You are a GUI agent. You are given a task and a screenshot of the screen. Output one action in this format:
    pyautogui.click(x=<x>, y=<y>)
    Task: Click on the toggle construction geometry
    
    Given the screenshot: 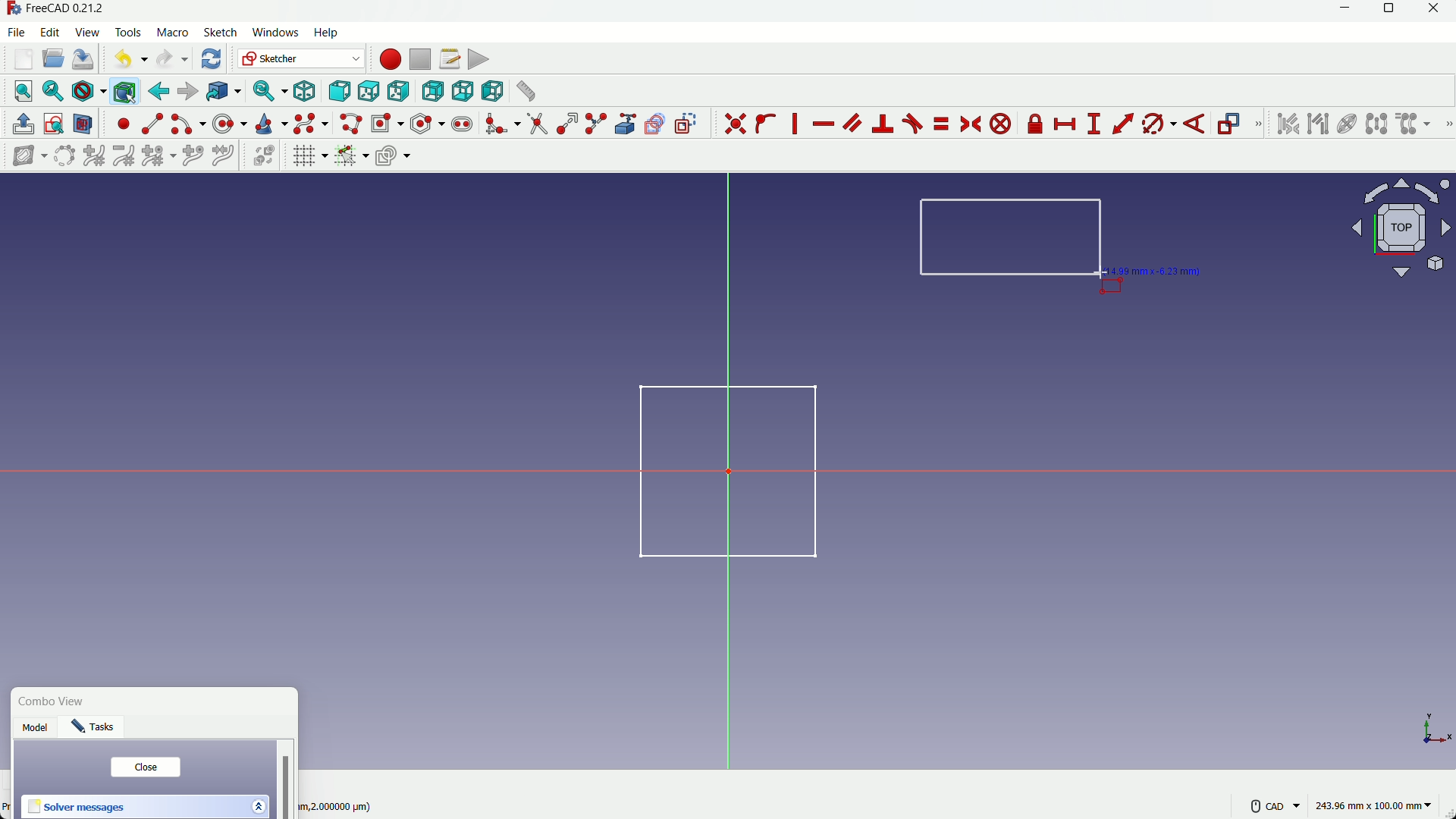 What is the action you would take?
    pyautogui.click(x=687, y=123)
    